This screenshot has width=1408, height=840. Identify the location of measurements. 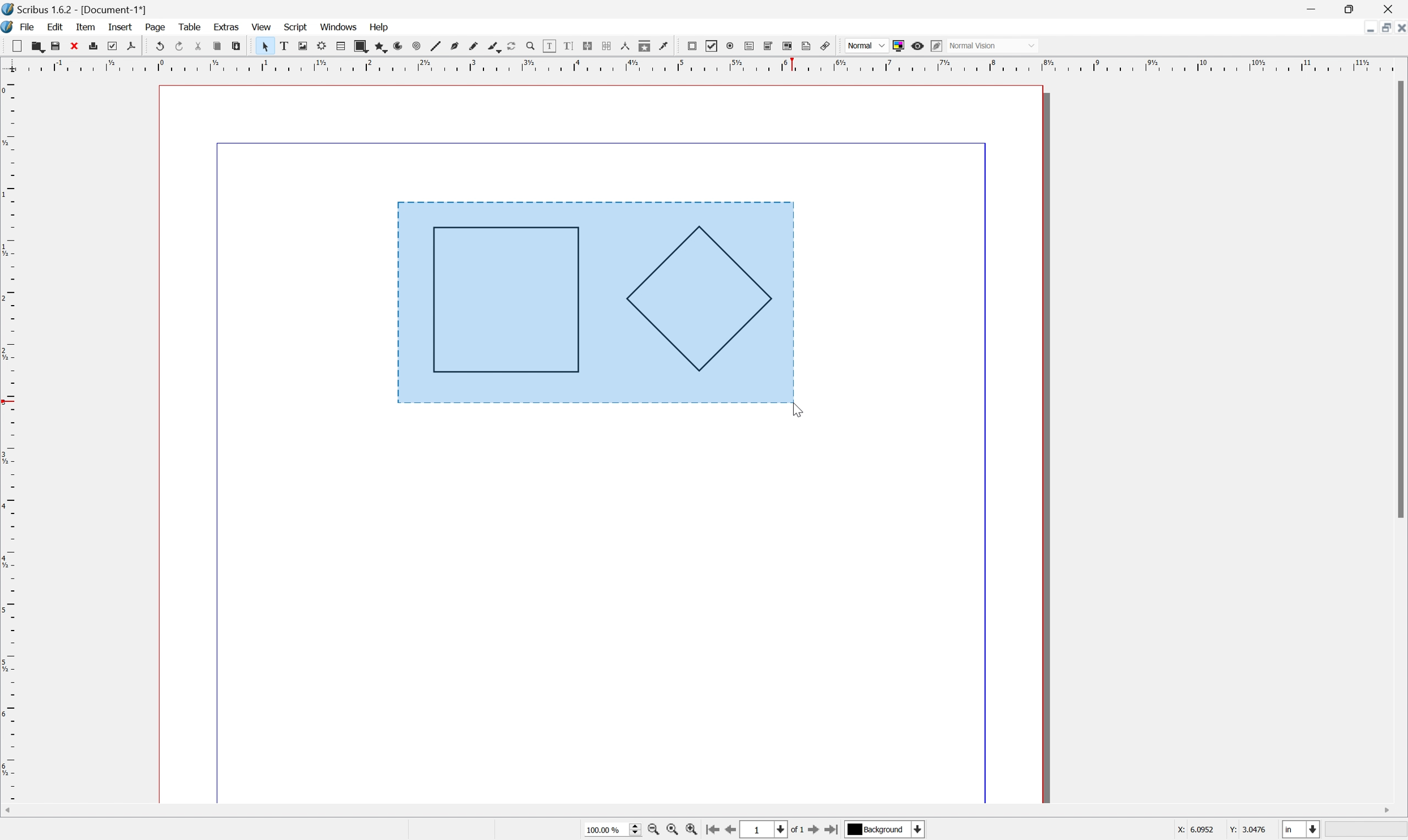
(624, 46).